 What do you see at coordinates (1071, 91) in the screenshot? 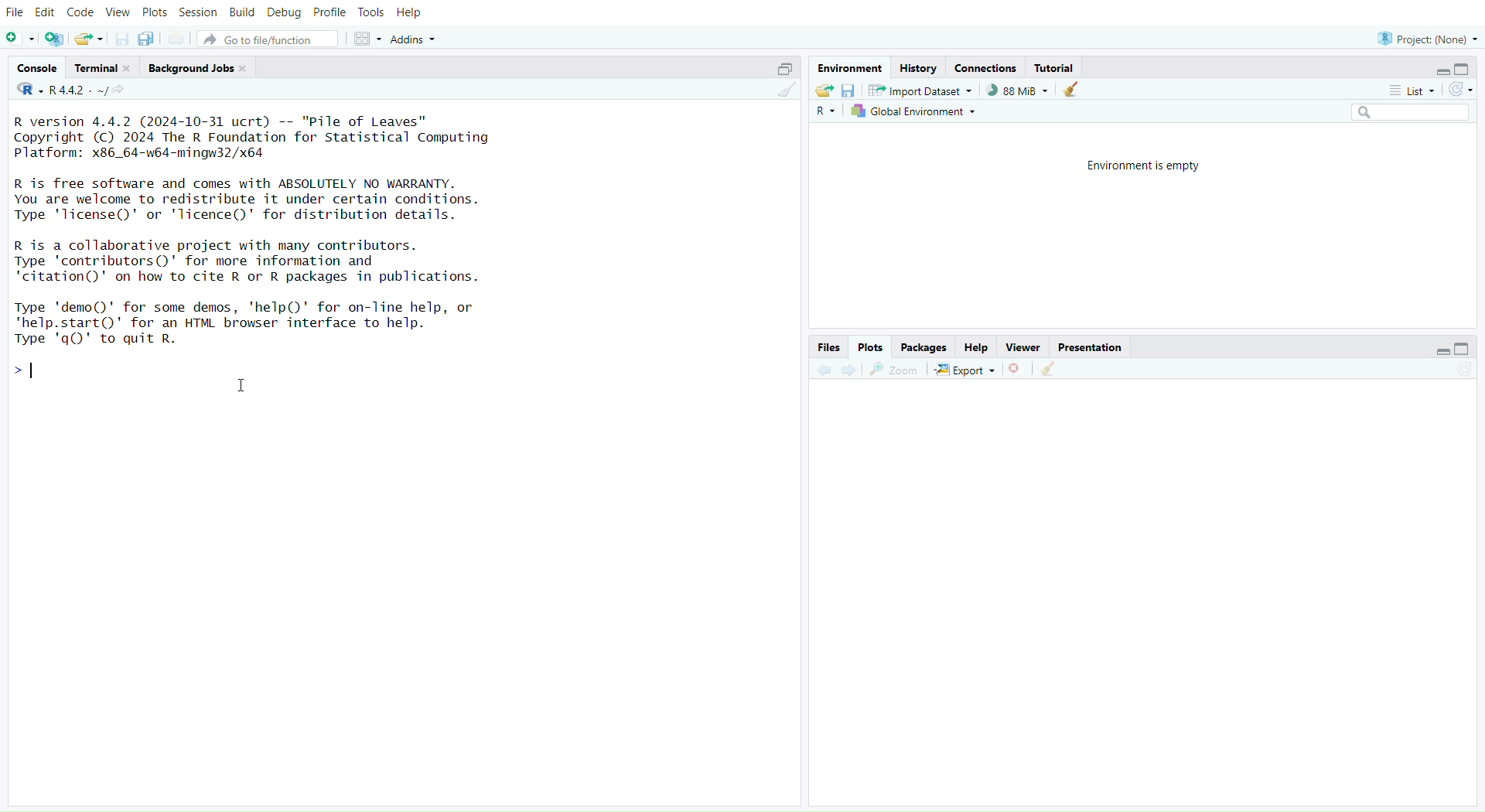
I see `clear object` at bounding box center [1071, 91].